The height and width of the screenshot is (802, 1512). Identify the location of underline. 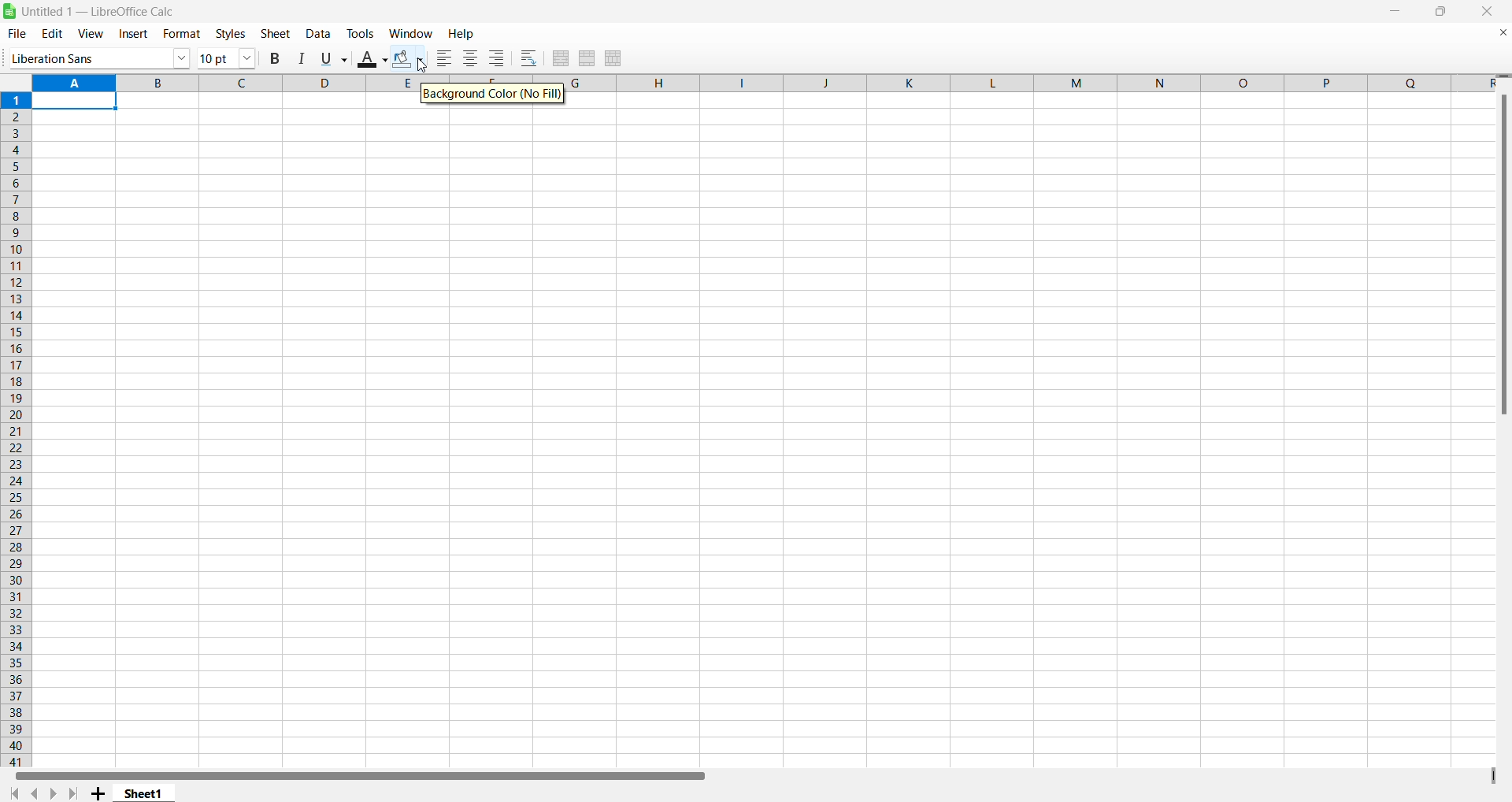
(330, 58).